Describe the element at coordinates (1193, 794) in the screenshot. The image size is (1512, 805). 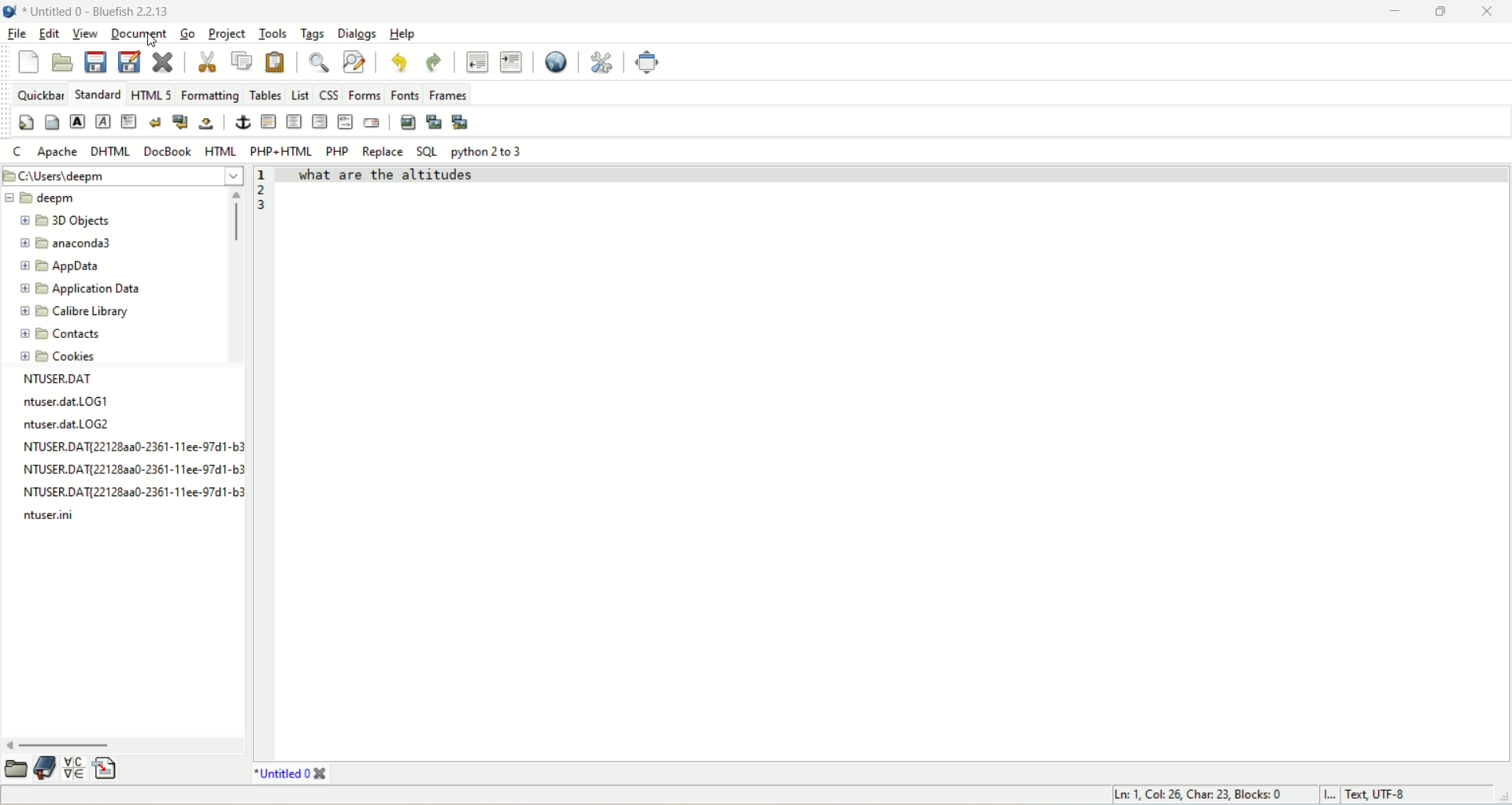
I see `ln, col, char, block` at that location.